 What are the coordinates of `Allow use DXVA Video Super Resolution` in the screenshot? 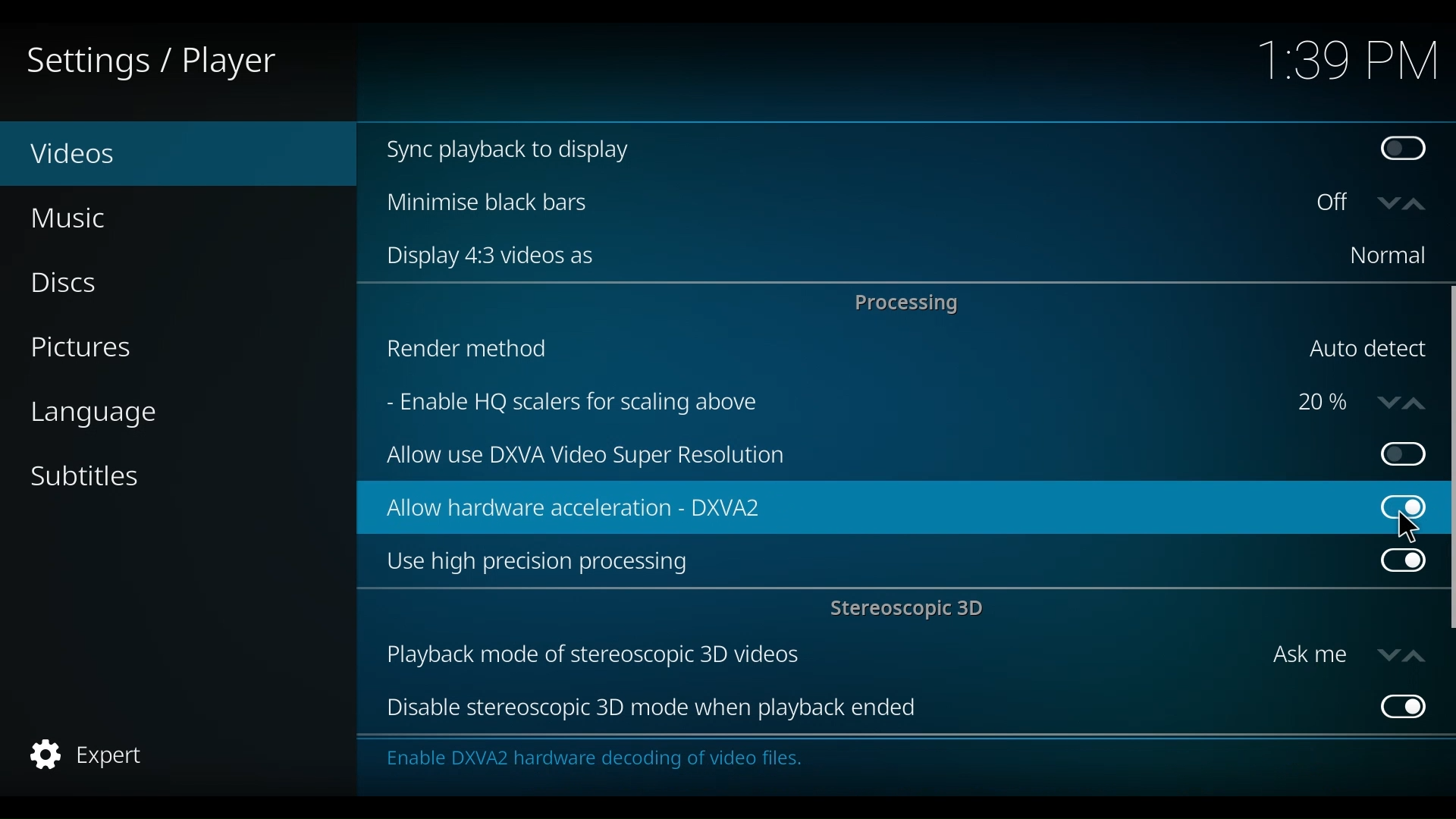 It's located at (867, 457).